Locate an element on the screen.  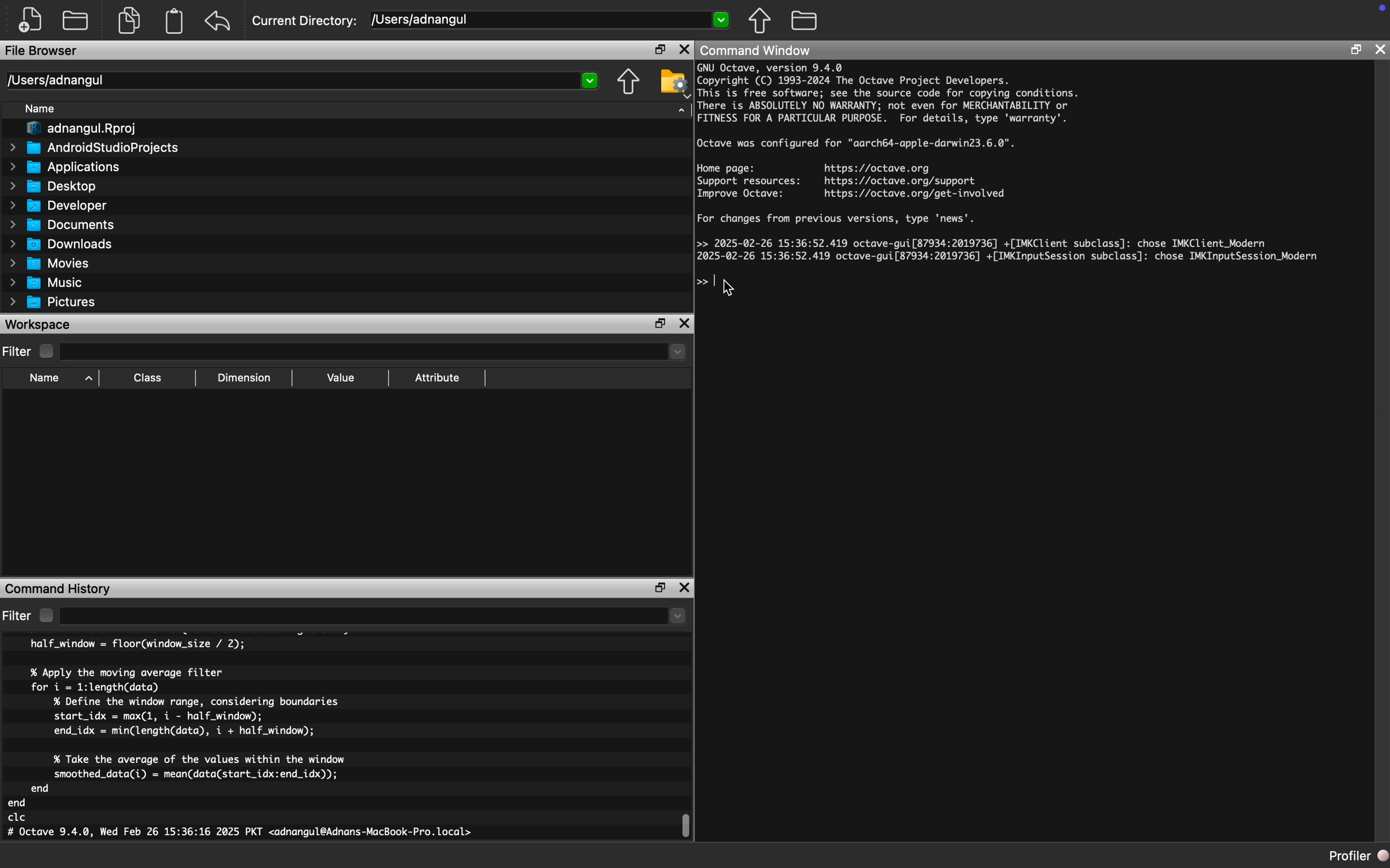
Redo is located at coordinates (221, 21).